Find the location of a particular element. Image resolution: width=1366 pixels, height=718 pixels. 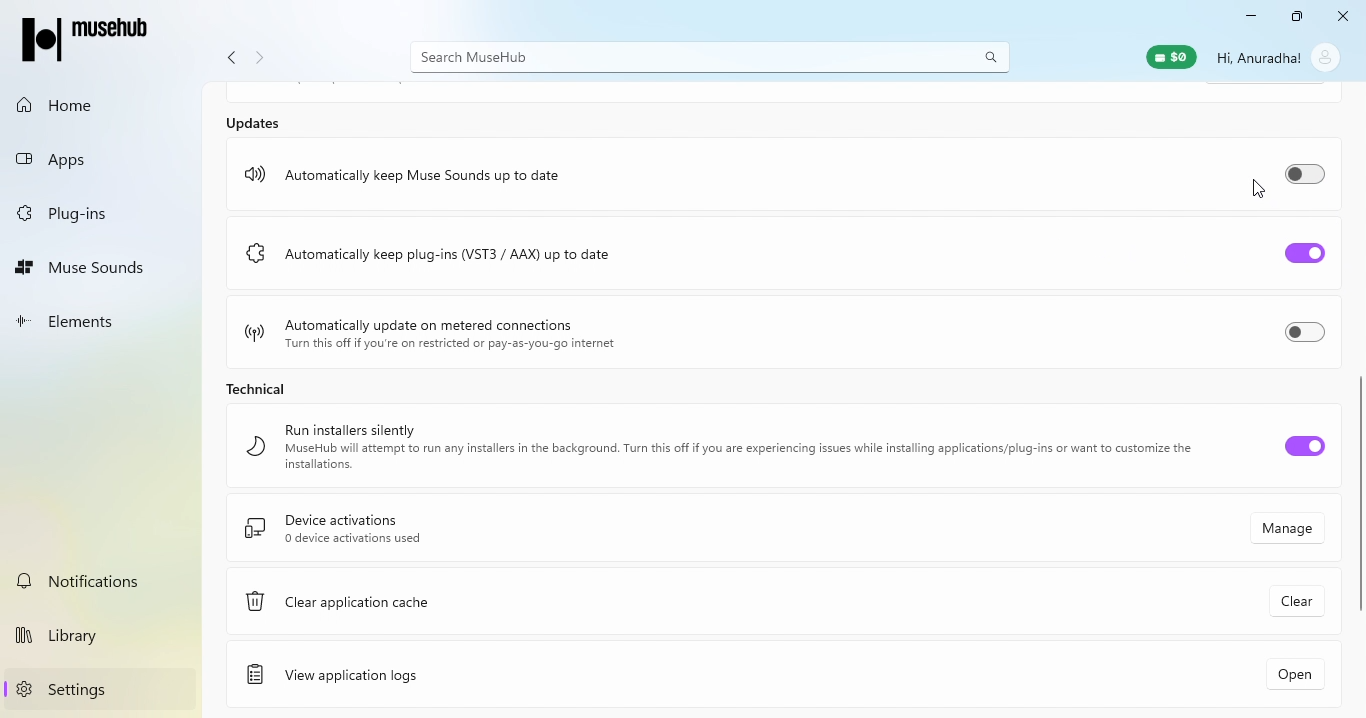

Plug-ins is located at coordinates (91, 212).